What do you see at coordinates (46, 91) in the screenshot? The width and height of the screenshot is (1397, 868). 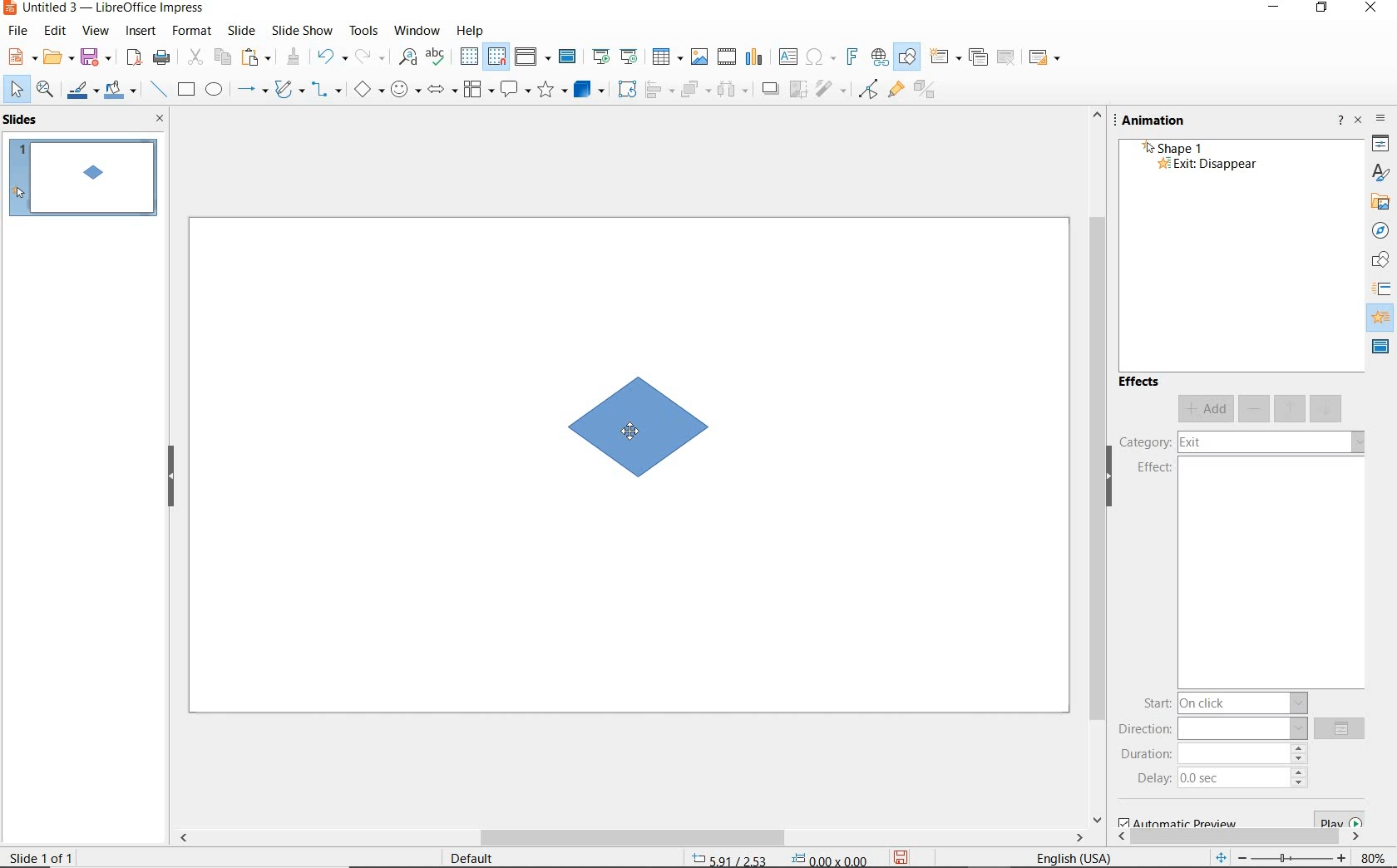 I see `zoom and pan` at bounding box center [46, 91].